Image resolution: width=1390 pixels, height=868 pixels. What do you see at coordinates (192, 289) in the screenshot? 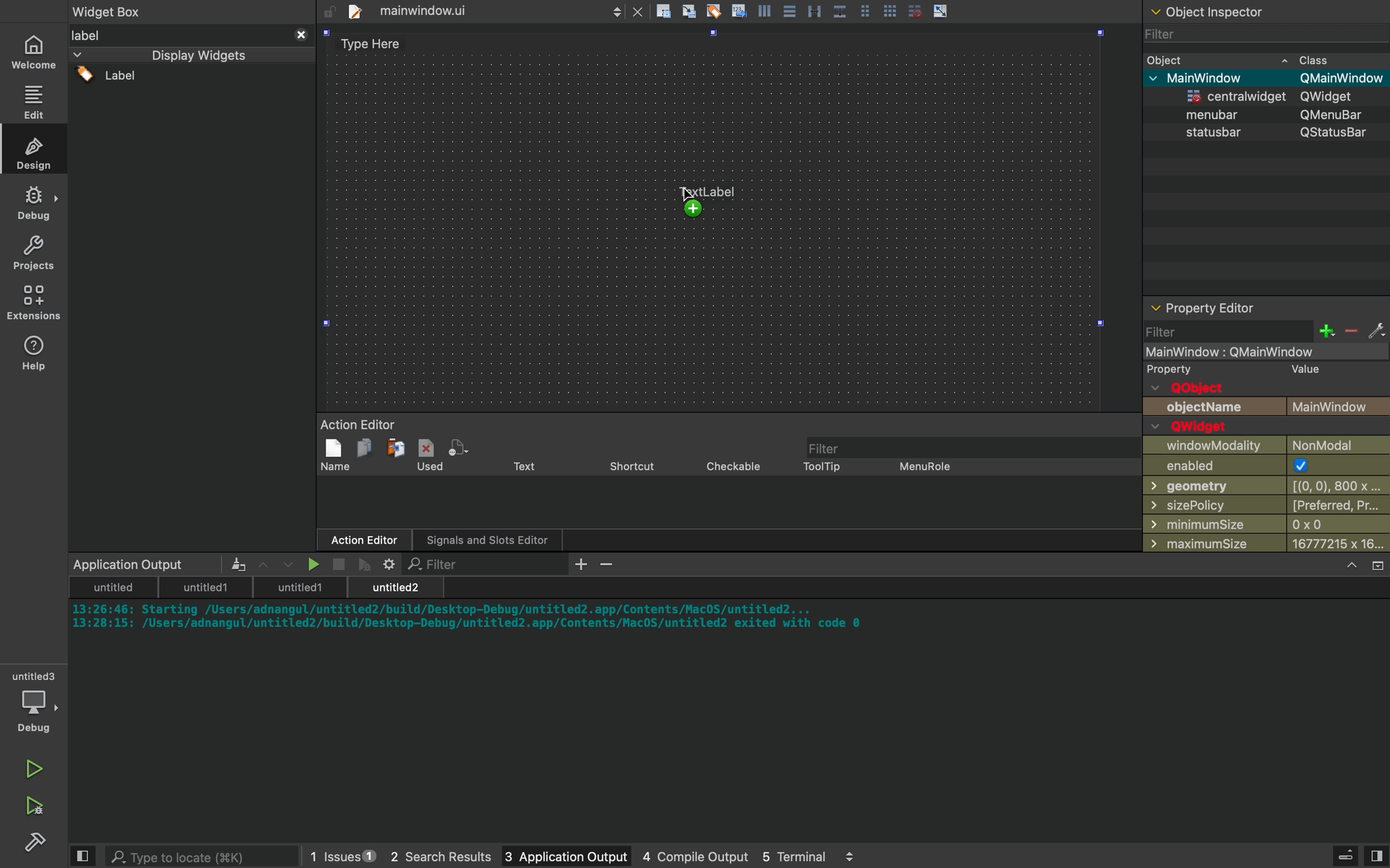
I see `widgets` at bounding box center [192, 289].